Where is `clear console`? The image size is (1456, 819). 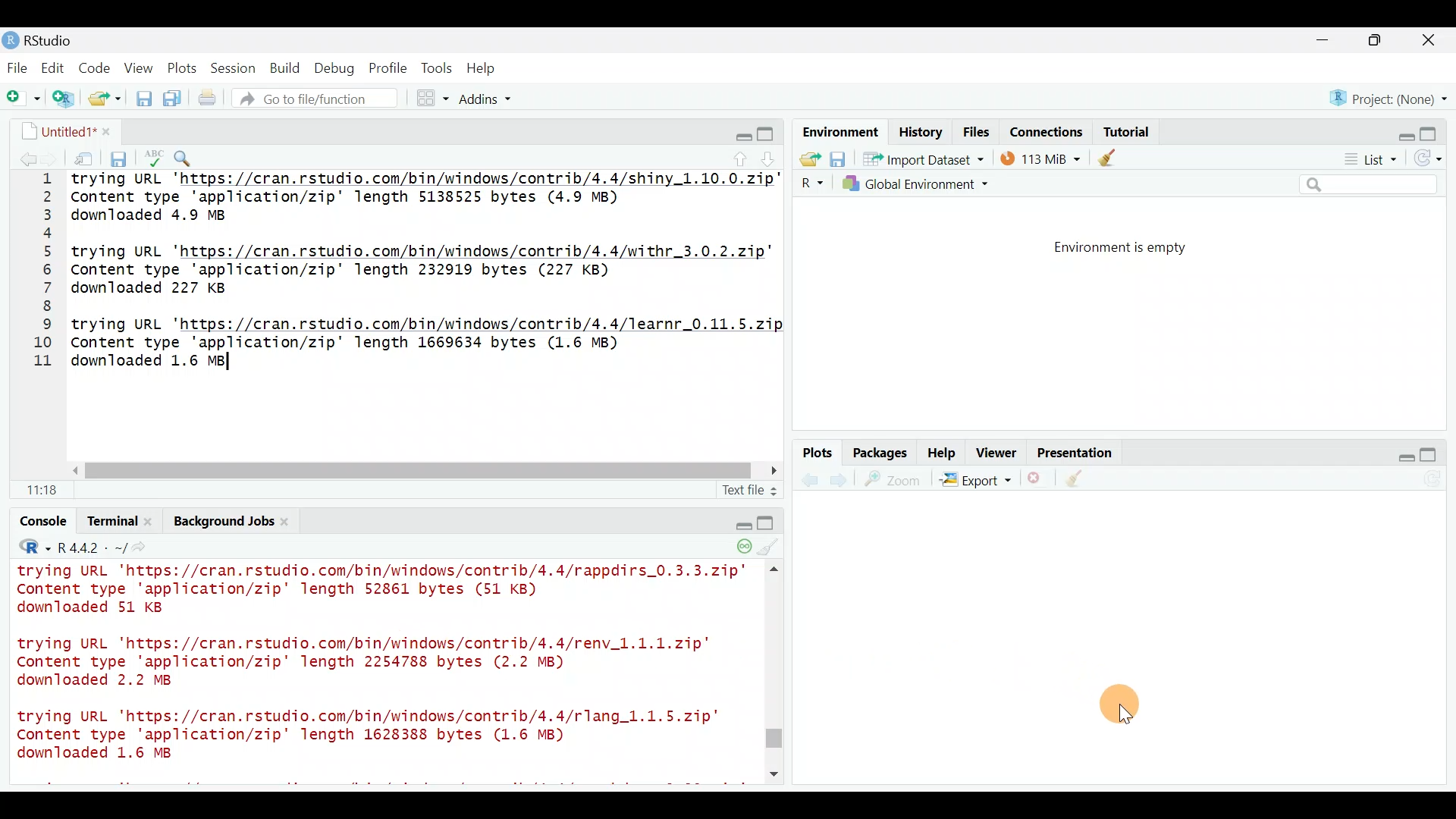
clear console is located at coordinates (763, 547).